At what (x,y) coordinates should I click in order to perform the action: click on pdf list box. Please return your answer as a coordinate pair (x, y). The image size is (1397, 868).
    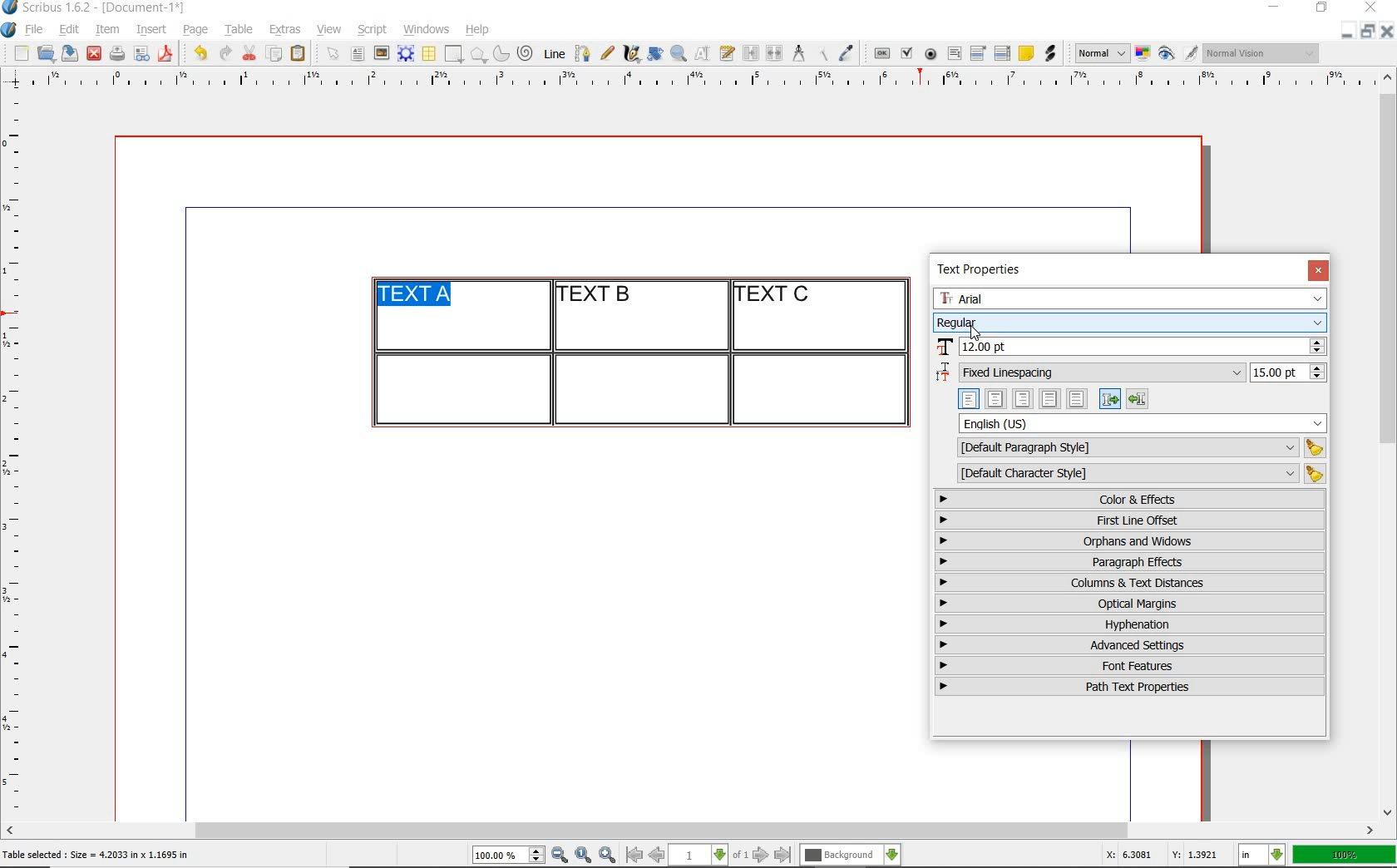
    Looking at the image, I should click on (1003, 53).